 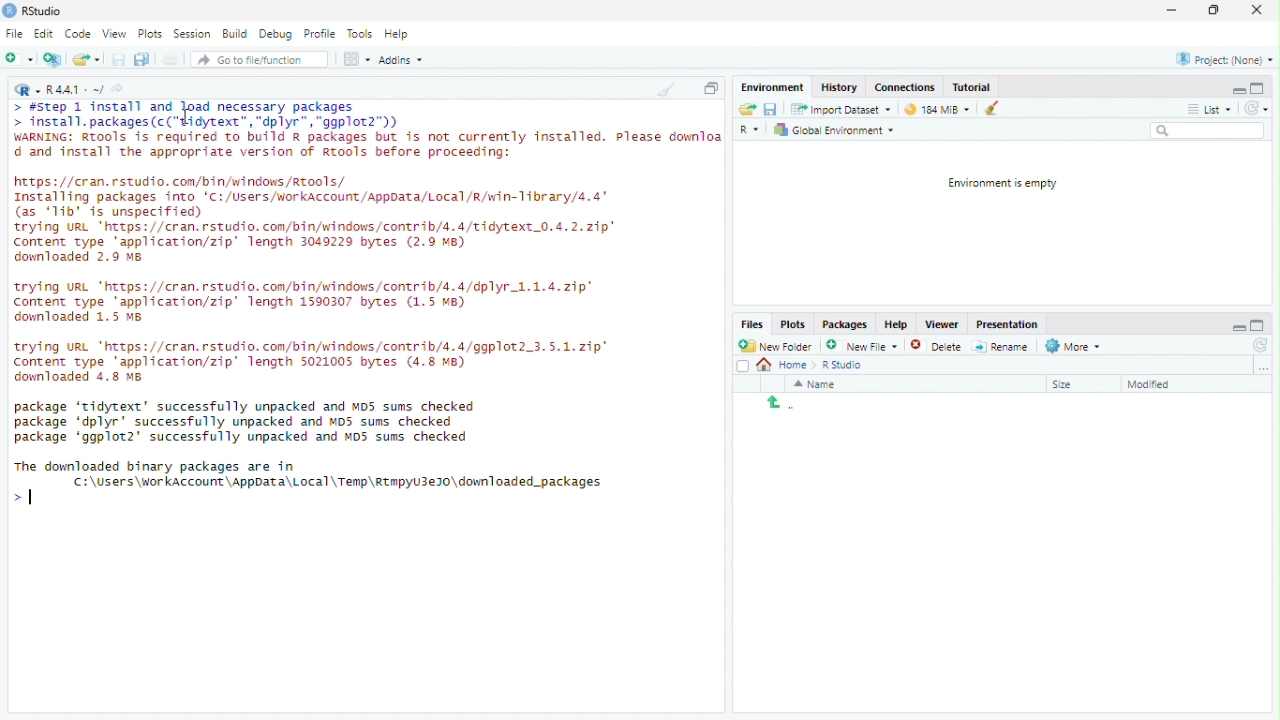 I want to click on trying URL "https://cran.rstudio. com/bin/windows/contrib/4.4/ggplot2_3.5.1.21p"
content type ‘application/zip’ length 5021005 bytes (4.8 v8)
downloaded 4.8 MB, so click(x=320, y=361).